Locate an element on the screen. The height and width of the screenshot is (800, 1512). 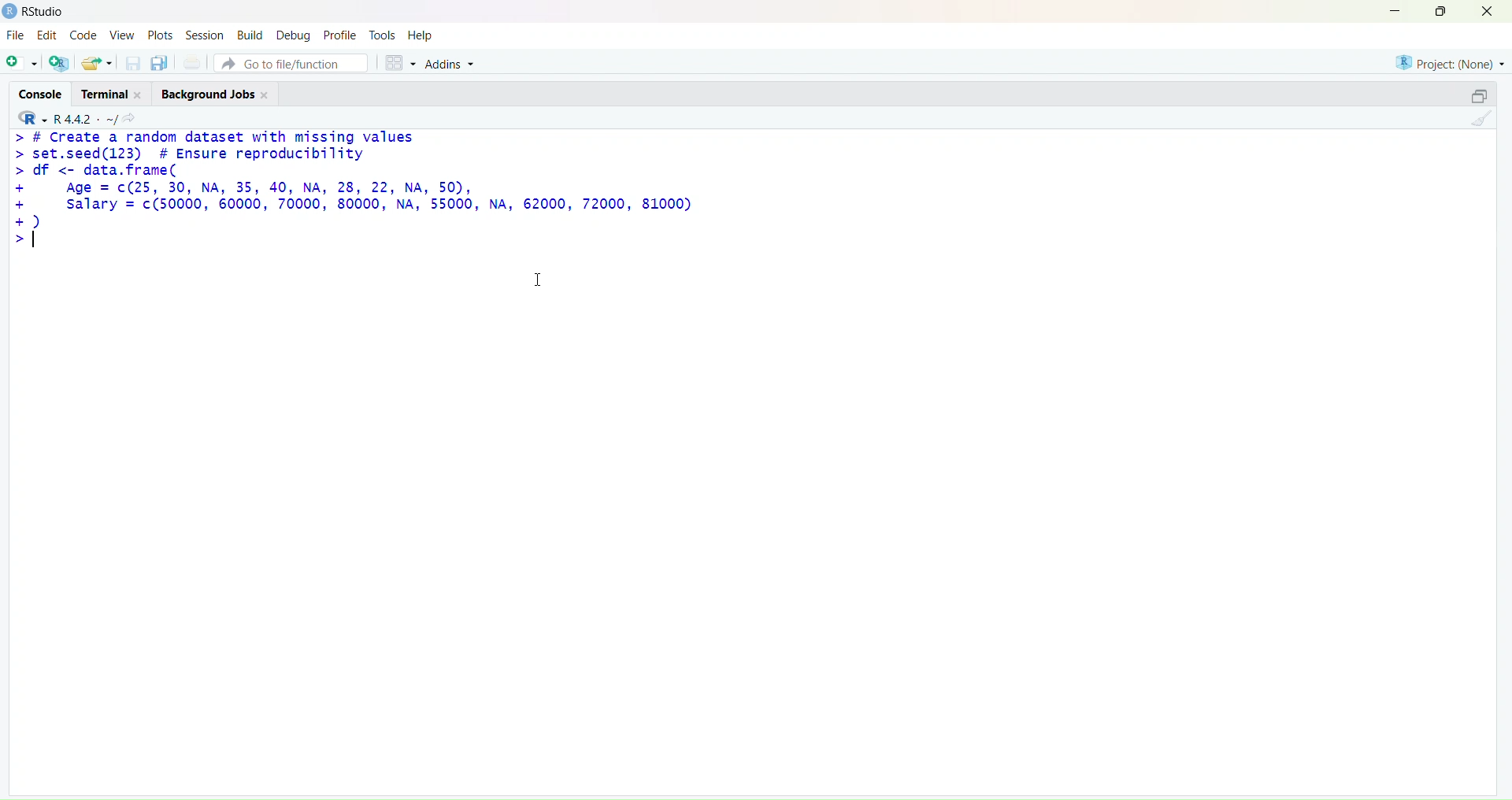
session is located at coordinates (206, 36).